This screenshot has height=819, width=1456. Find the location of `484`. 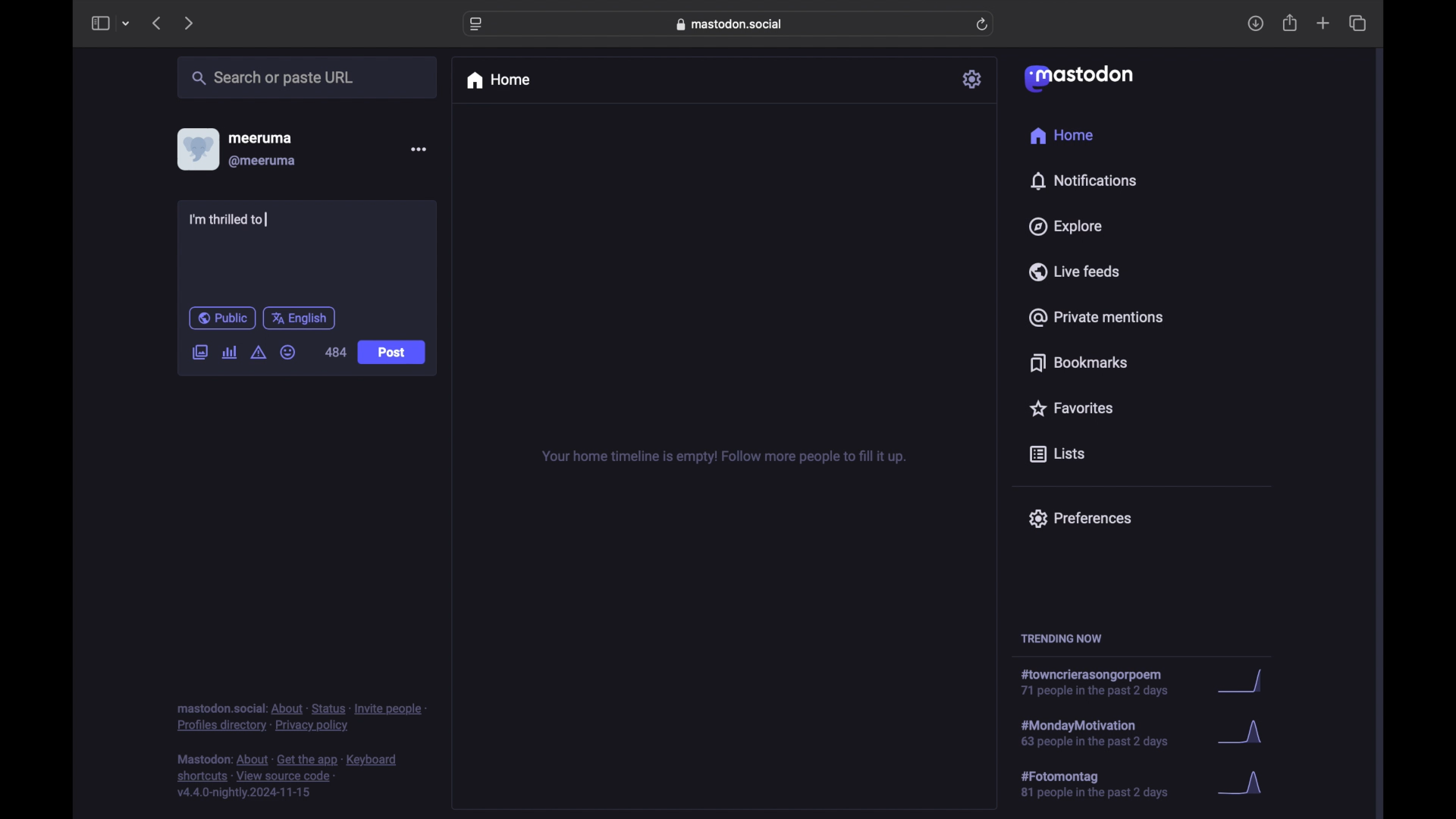

484 is located at coordinates (335, 352).